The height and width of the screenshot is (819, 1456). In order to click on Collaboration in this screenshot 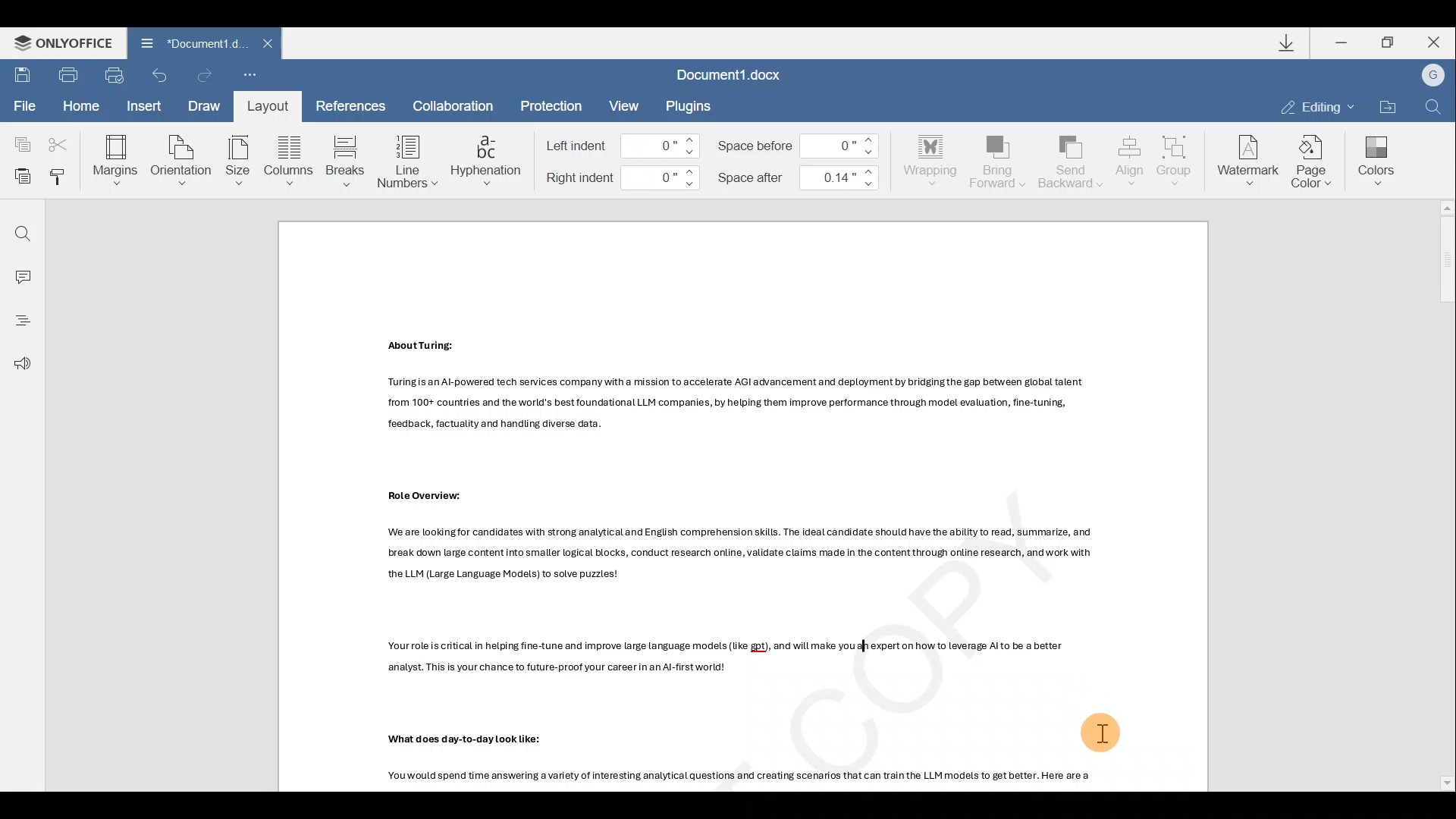, I will do `click(460, 105)`.